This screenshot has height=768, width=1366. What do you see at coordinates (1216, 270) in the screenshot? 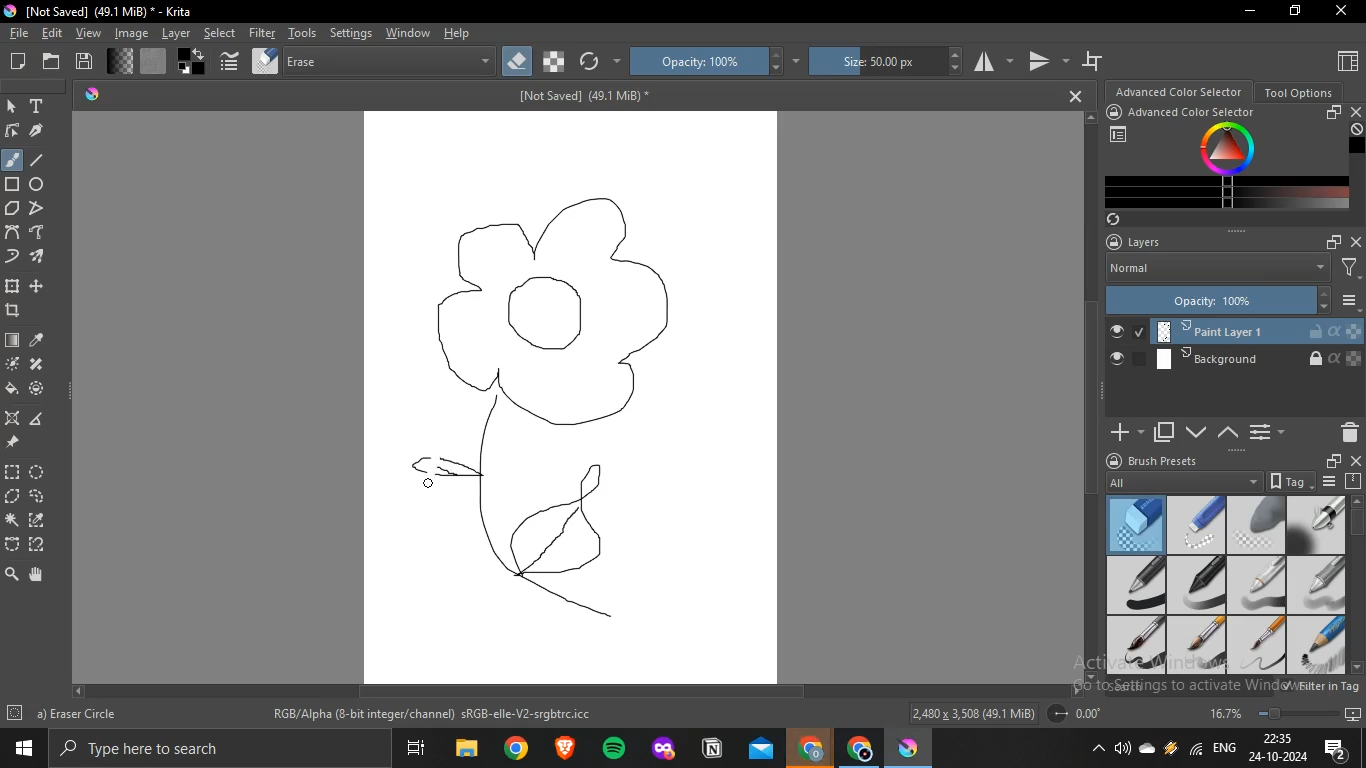
I see `Normal` at bounding box center [1216, 270].